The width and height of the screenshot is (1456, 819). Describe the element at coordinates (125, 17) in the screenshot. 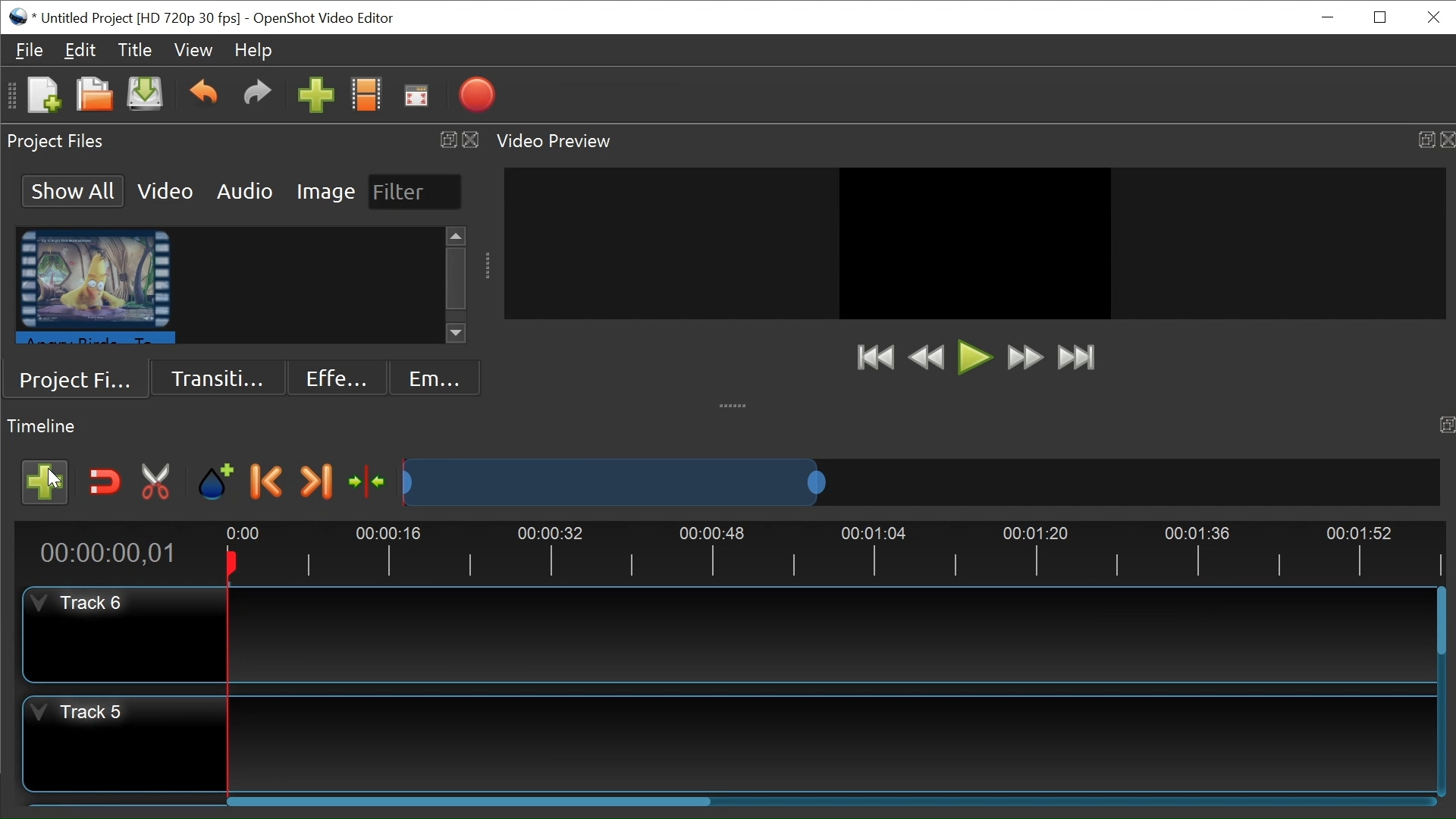

I see `File Name` at that location.